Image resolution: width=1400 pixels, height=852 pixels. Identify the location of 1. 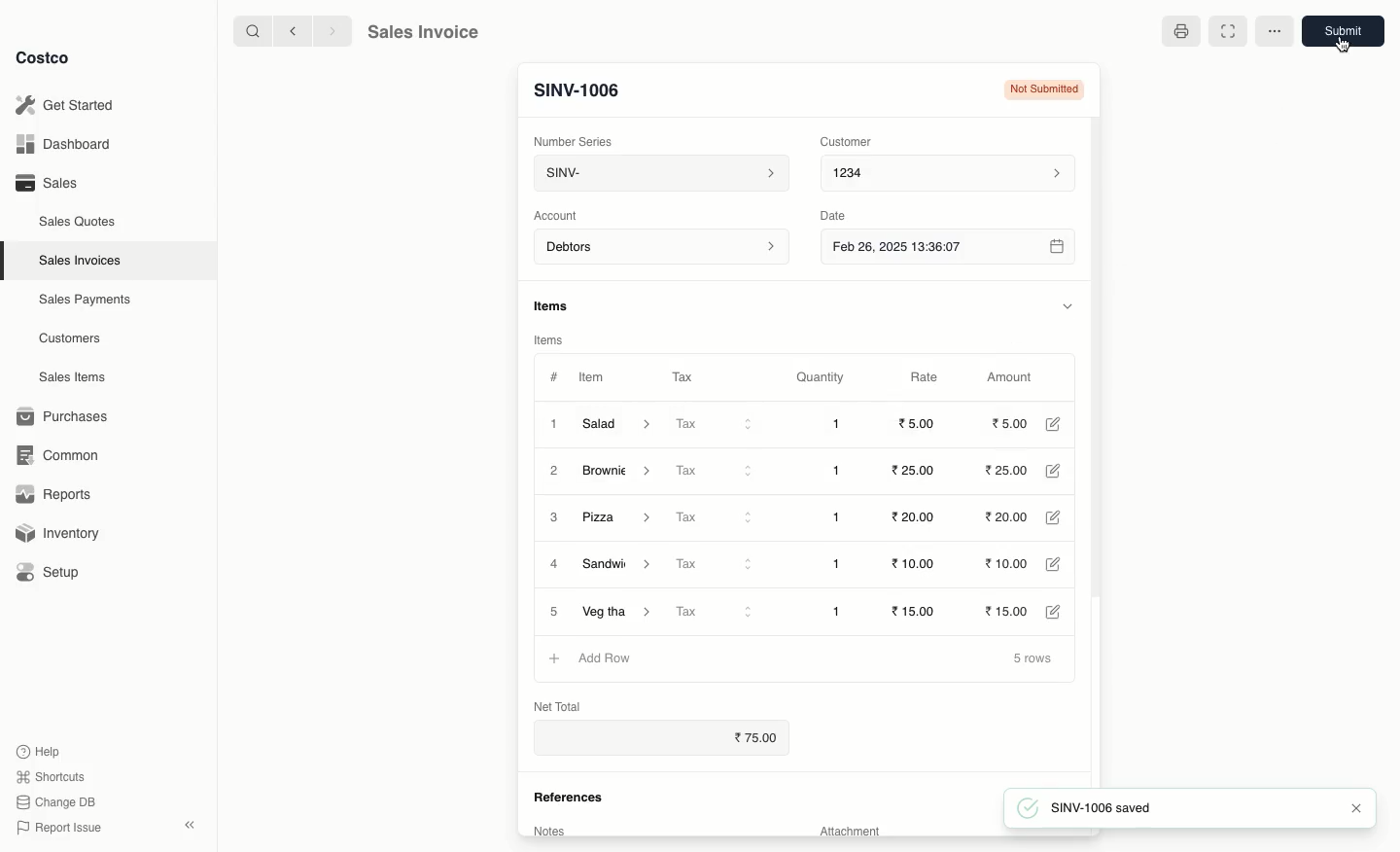
(837, 519).